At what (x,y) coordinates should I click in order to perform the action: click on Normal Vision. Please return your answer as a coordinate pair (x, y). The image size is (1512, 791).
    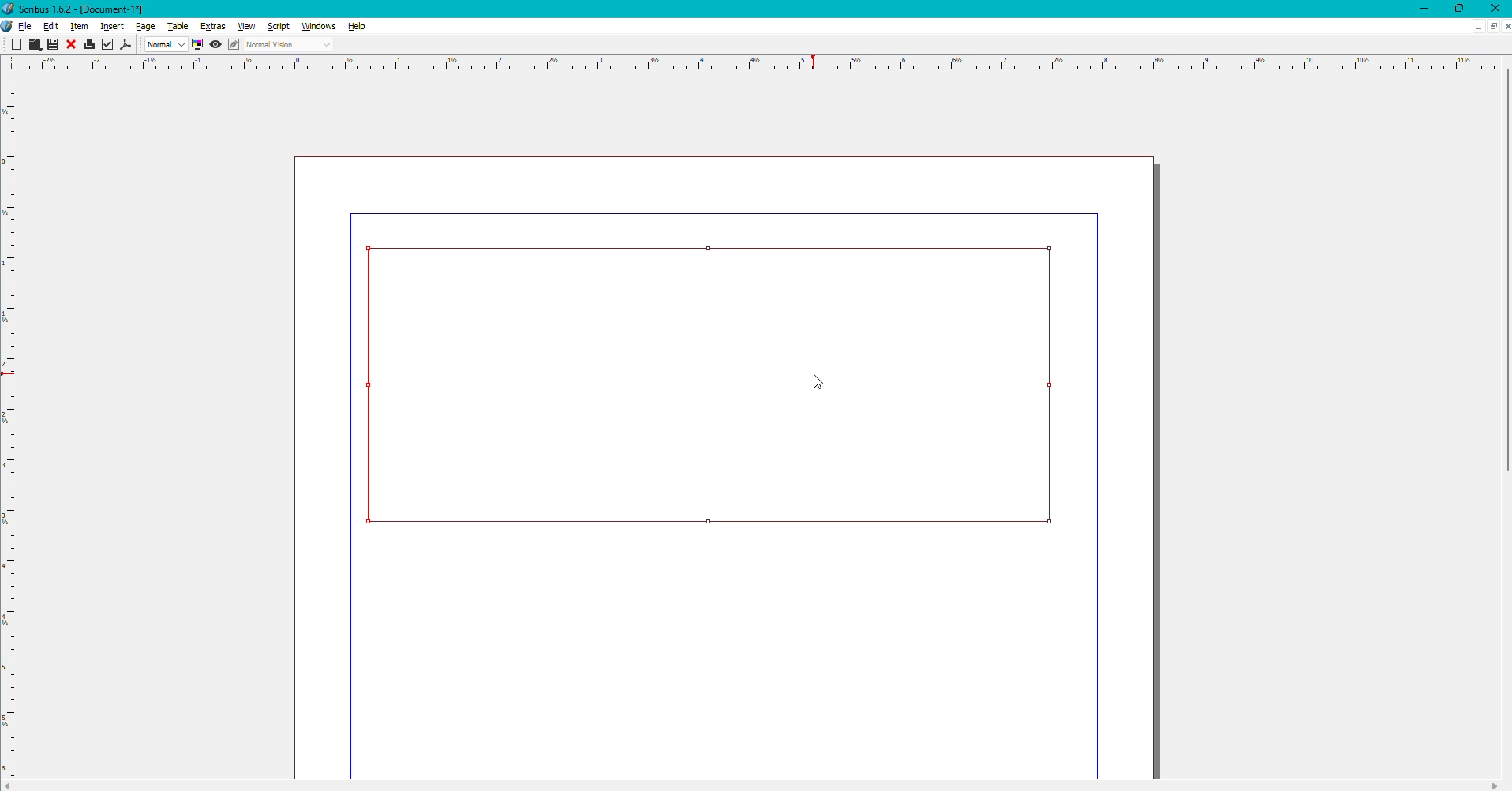
    Looking at the image, I should click on (283, 45).